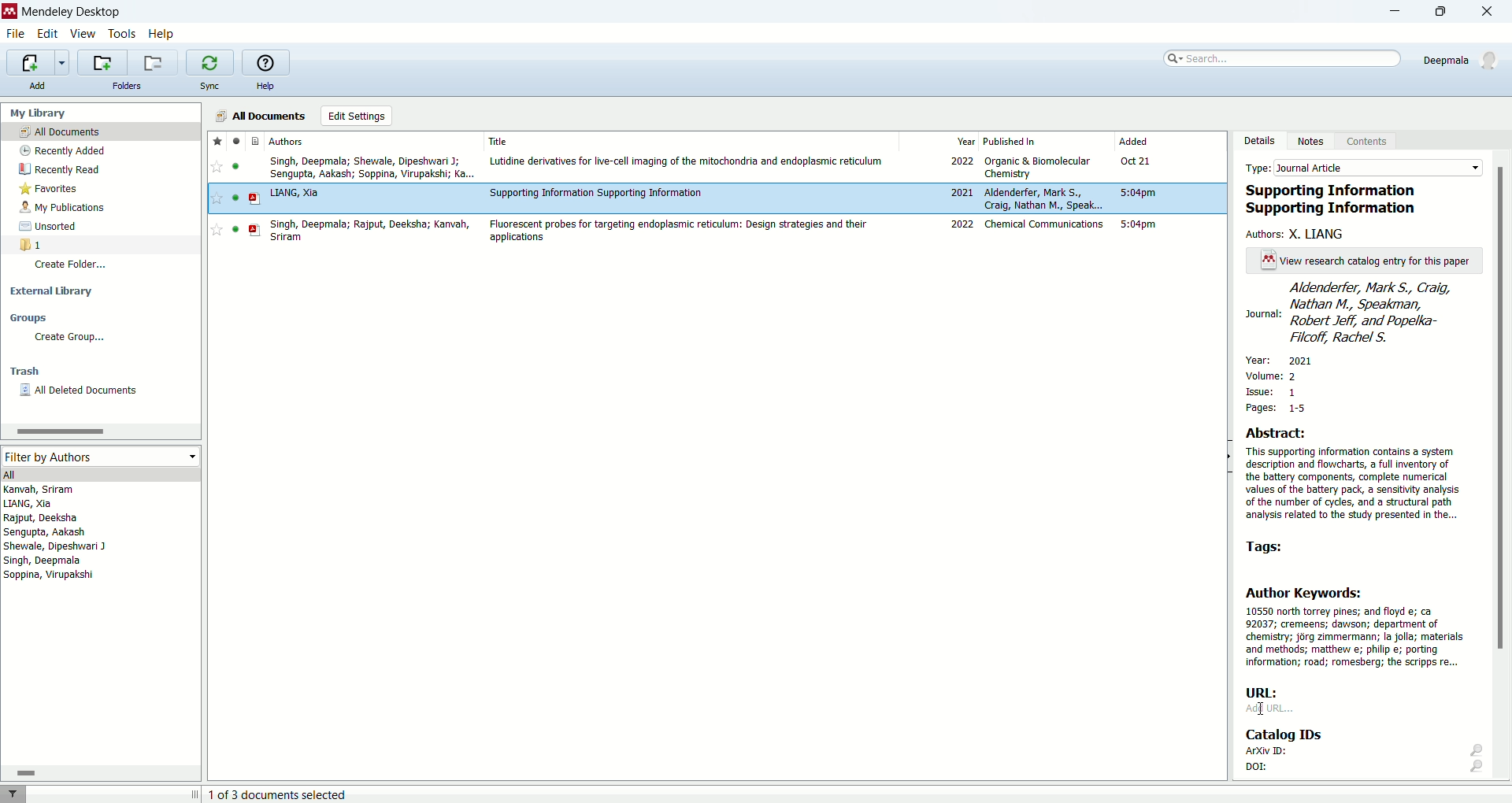 The image size is (1512, 803). Describe the element at coordinates (1011, 141) in the screenshot. I see `published in` at that location.